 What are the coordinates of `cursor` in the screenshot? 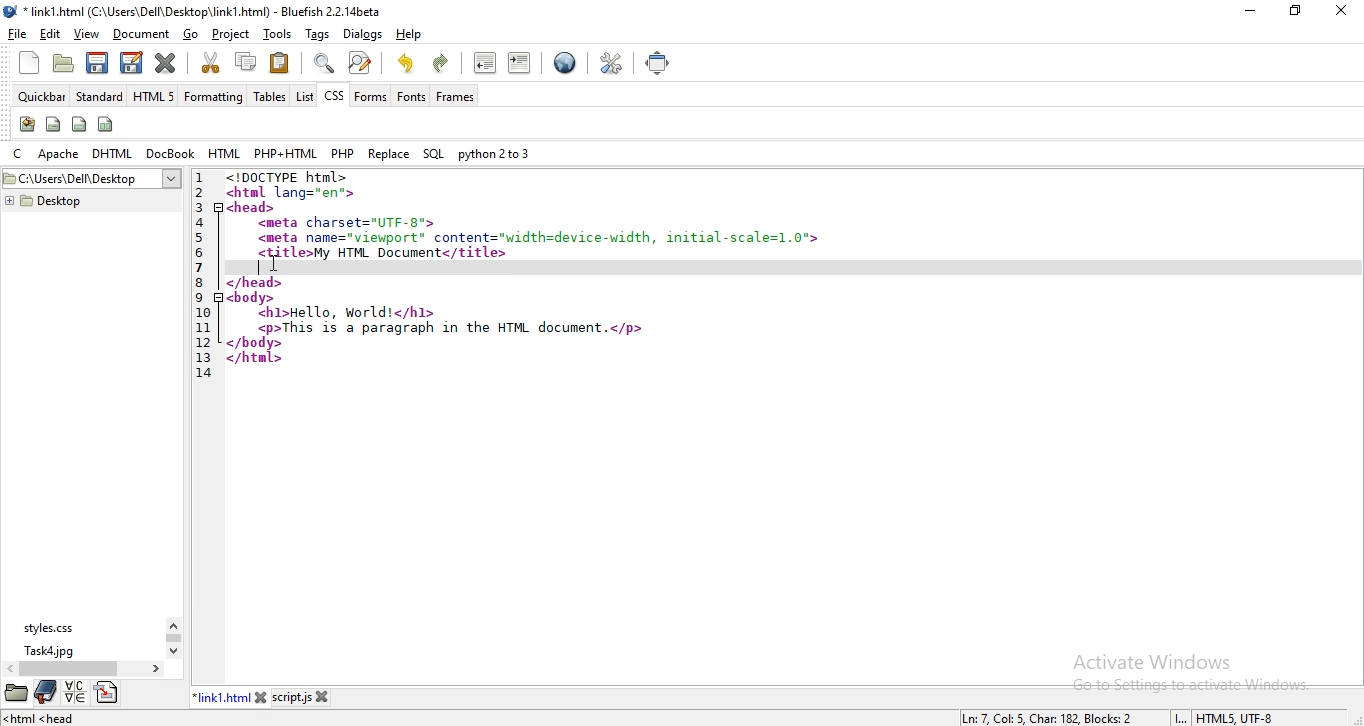 It's located at (273, 263).